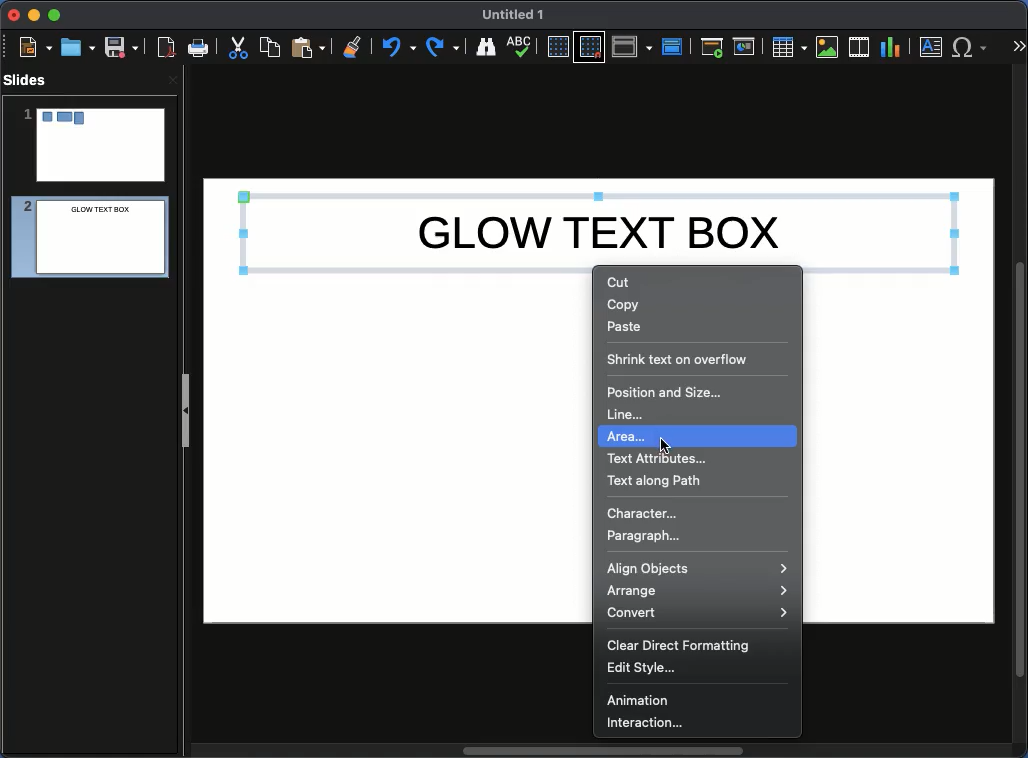  Describe the element at coordinates (644, 723) in the screenshot. I see `Interaction` at that location.